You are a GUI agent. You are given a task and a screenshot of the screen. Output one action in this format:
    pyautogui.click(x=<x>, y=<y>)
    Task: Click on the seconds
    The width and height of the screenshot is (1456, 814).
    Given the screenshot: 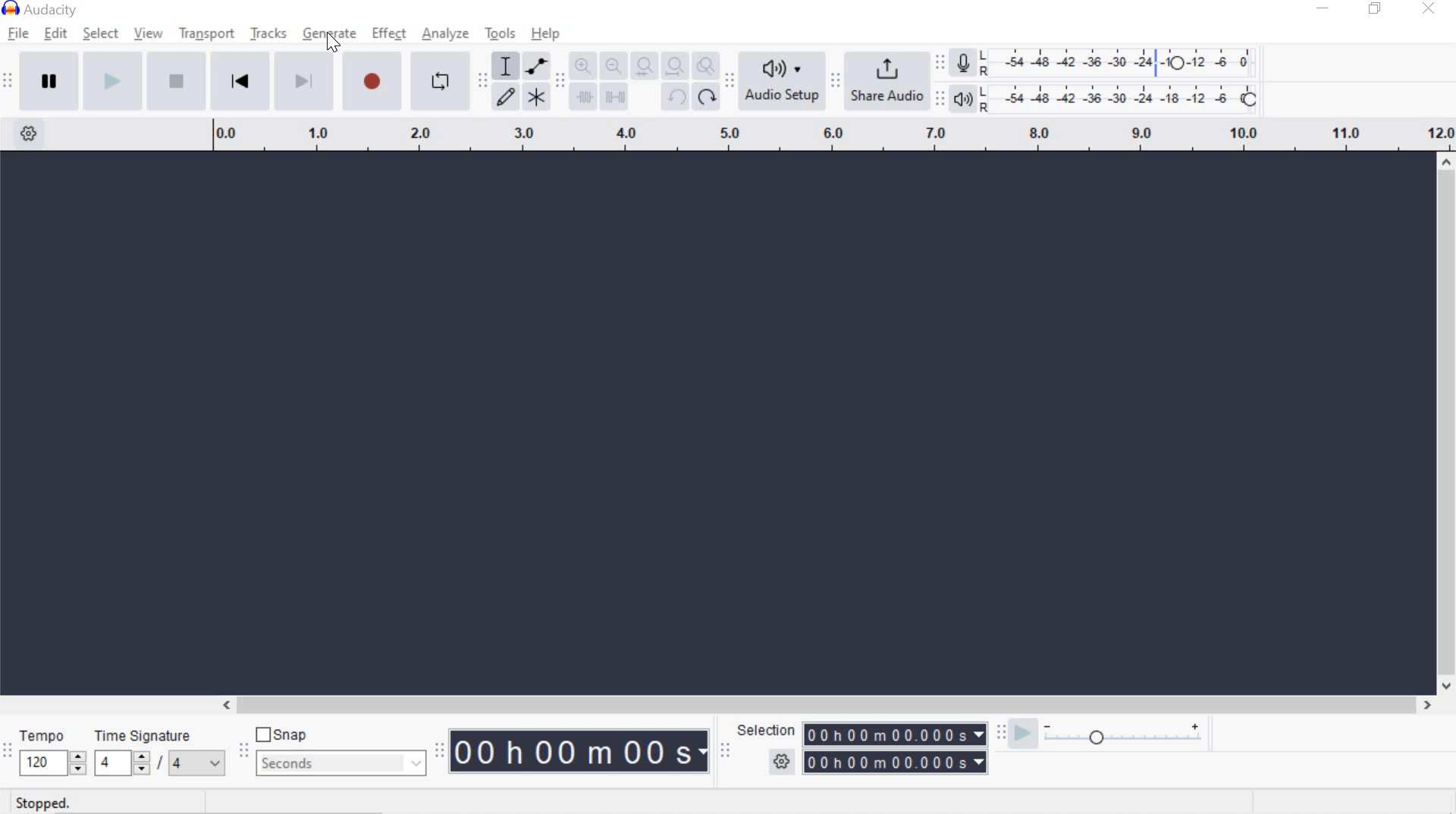 What is the action you would take?
    pyautogui.click(x=341, y=762)
    